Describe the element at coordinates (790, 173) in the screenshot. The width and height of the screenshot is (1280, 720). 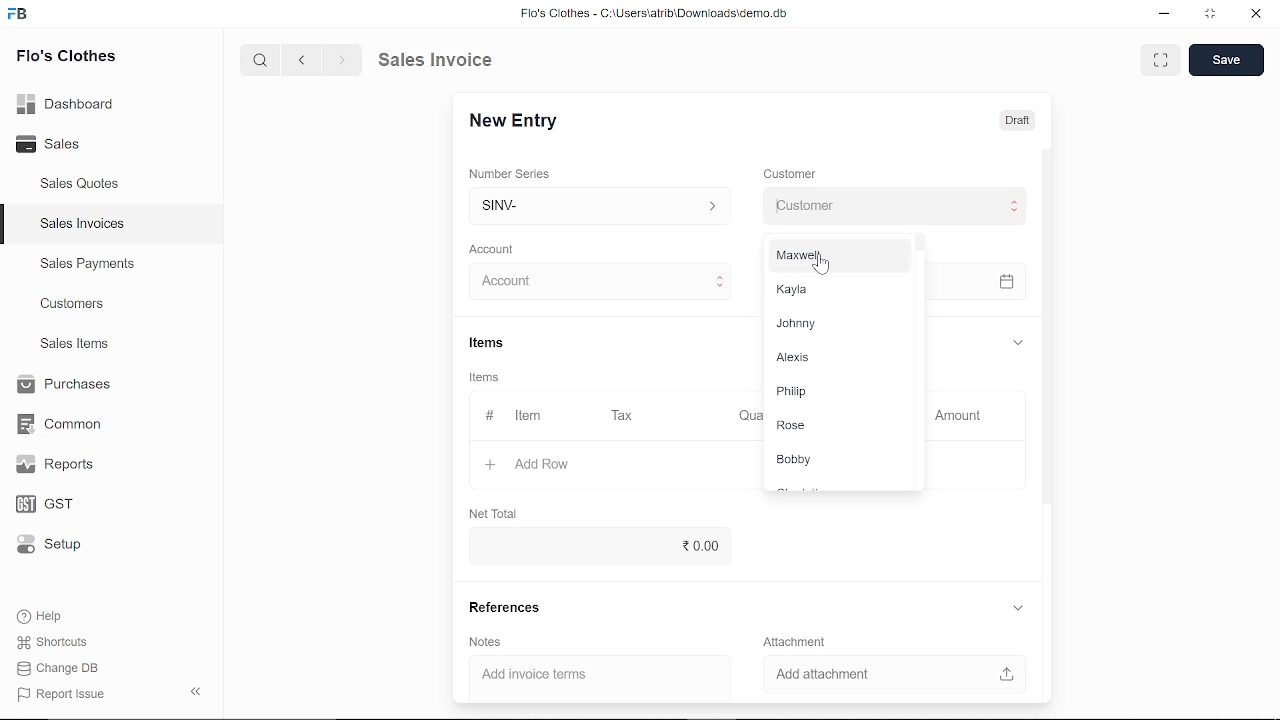
I see `Customer` at that location.